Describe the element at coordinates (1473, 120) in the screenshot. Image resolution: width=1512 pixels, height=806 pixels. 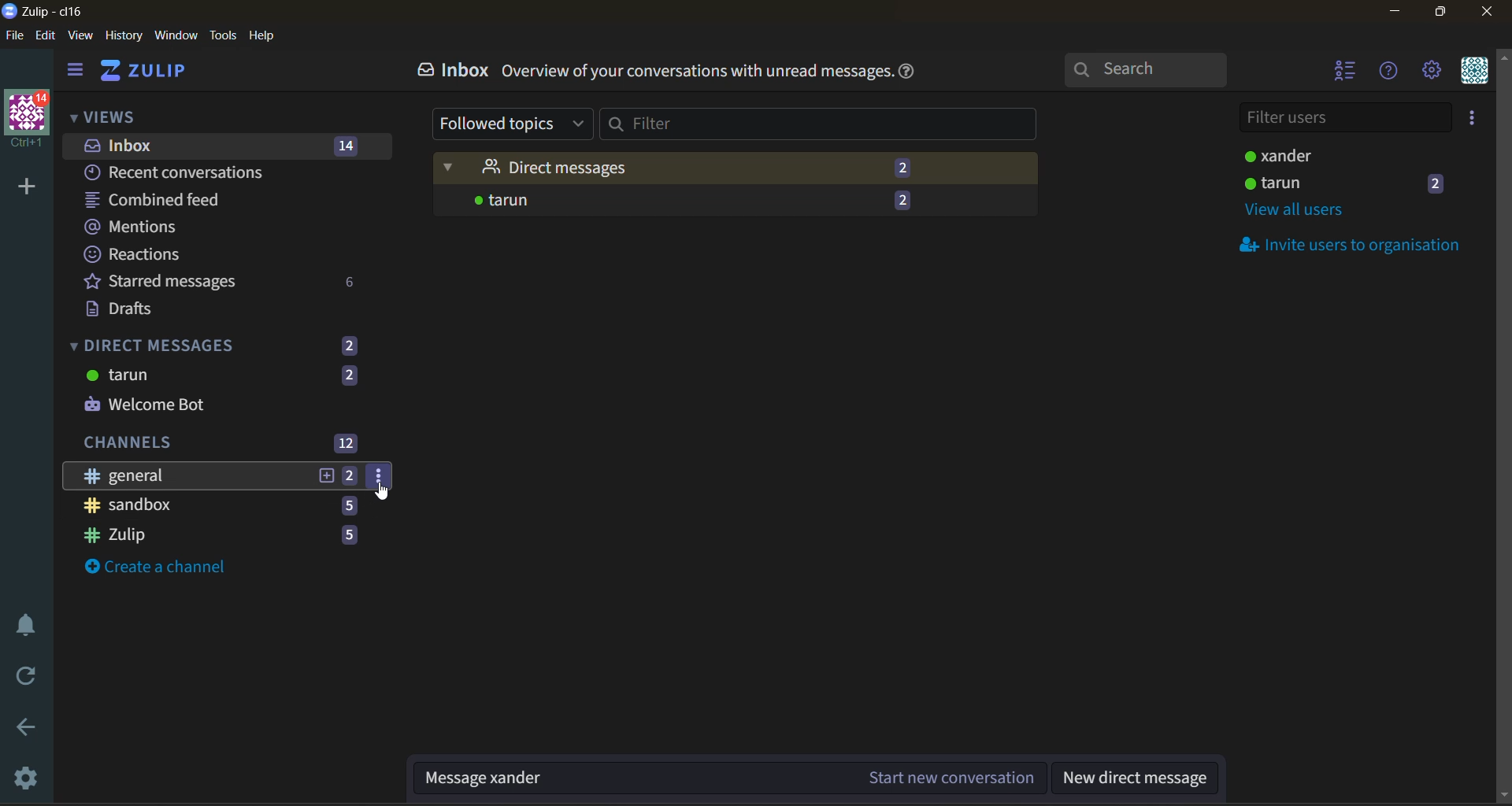
I see `invite users to organisation` at that location.